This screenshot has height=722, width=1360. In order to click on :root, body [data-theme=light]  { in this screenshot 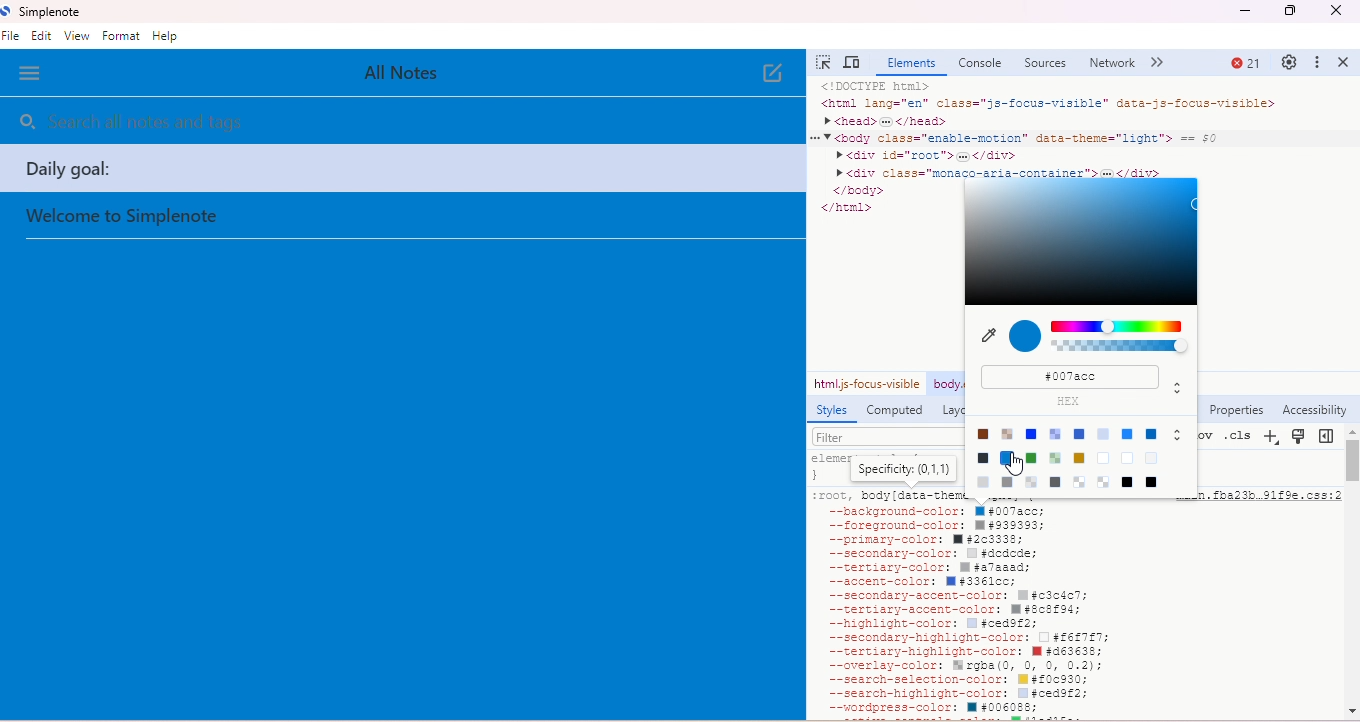, I will do `click(888, 495)`.